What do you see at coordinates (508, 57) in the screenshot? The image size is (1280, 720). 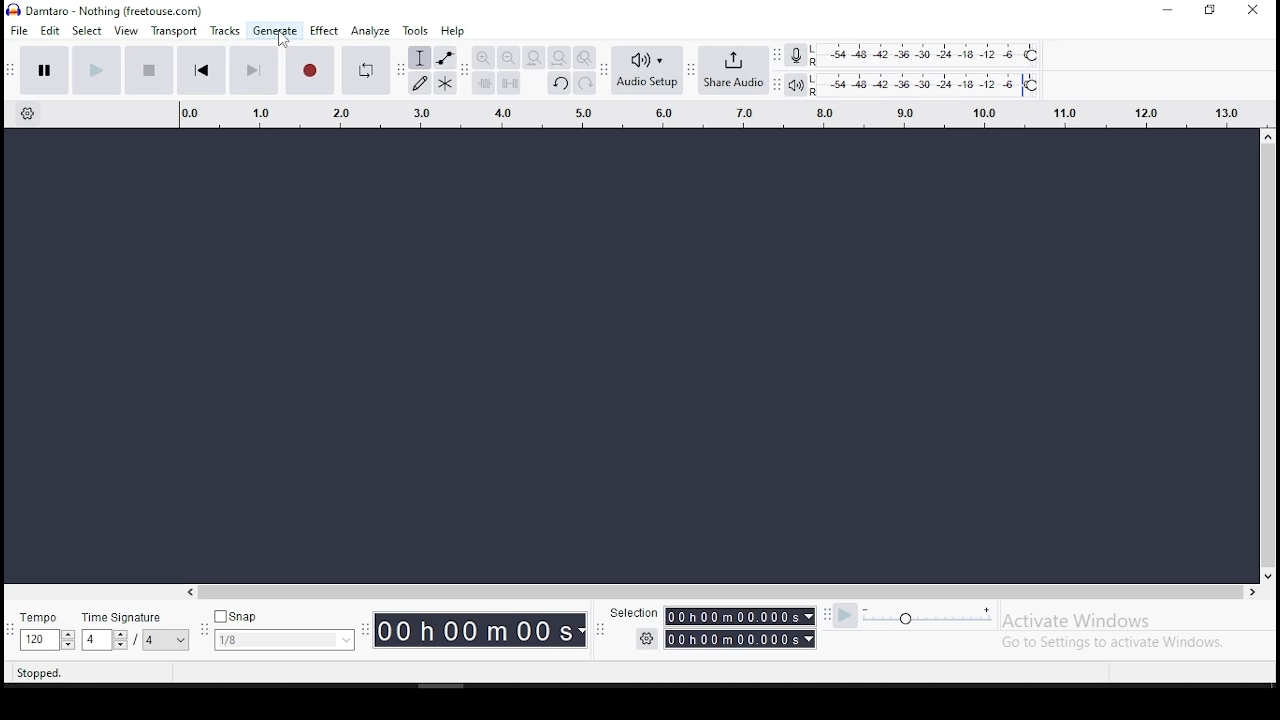 I see `zoom out` at bounding box center [508, 57].